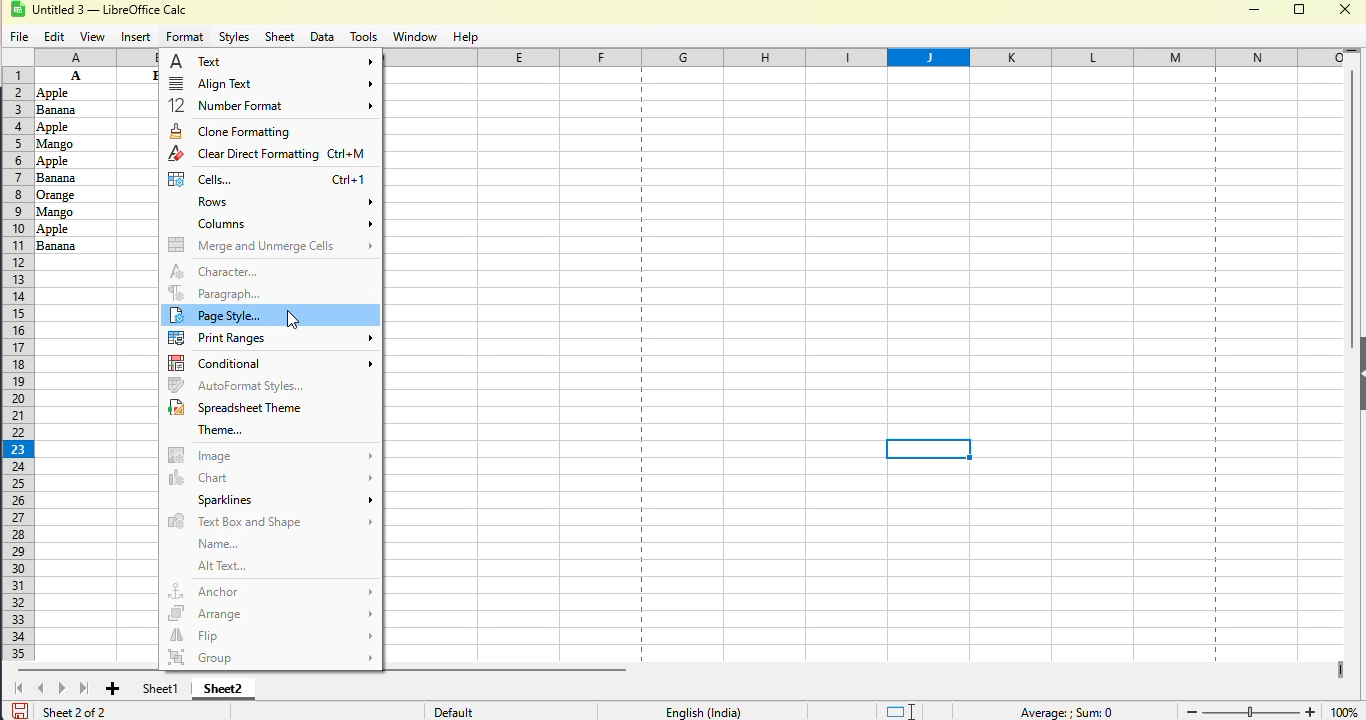 The image size is (1366, 720). Describe the element at coordinates (220, 315) in the screenshot. I see `page style` at that location.